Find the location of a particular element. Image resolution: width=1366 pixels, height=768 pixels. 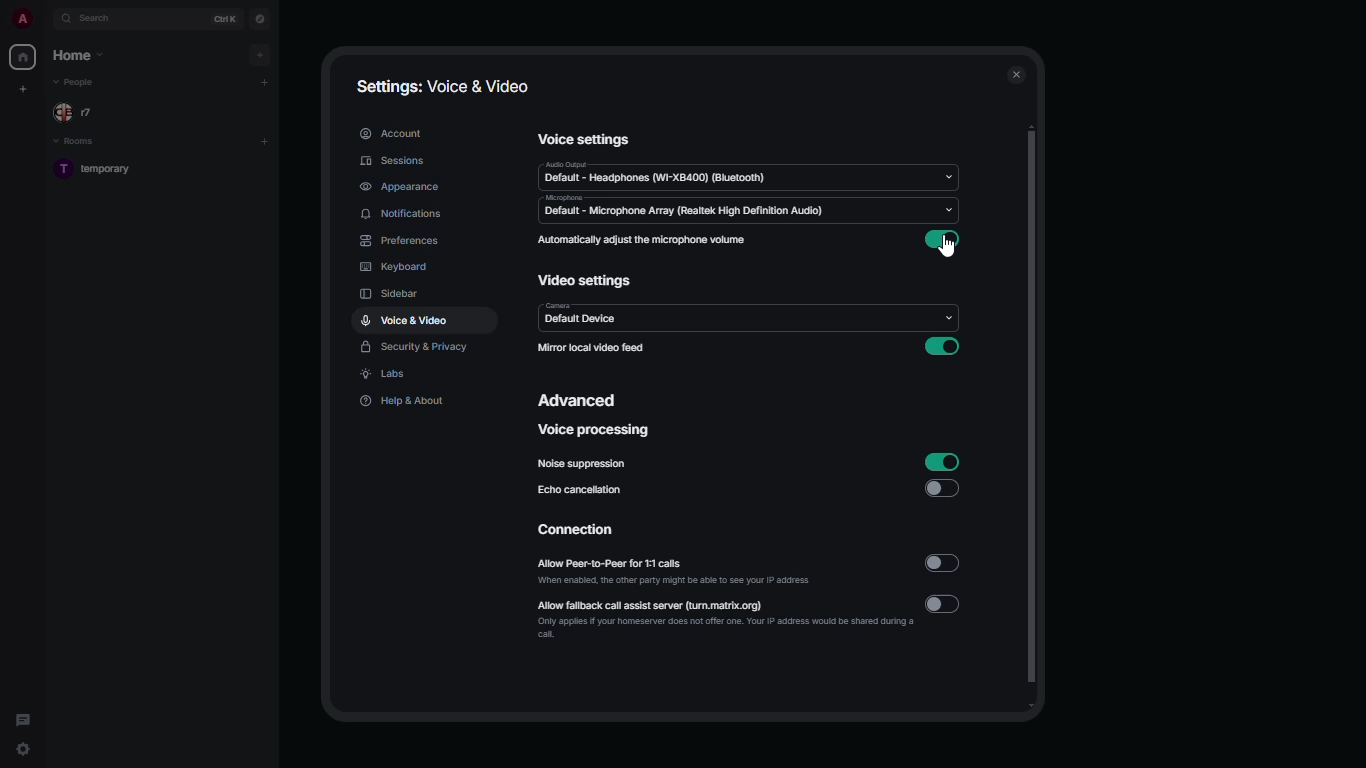

mirror local video feed is located at coordinates (591, 349).